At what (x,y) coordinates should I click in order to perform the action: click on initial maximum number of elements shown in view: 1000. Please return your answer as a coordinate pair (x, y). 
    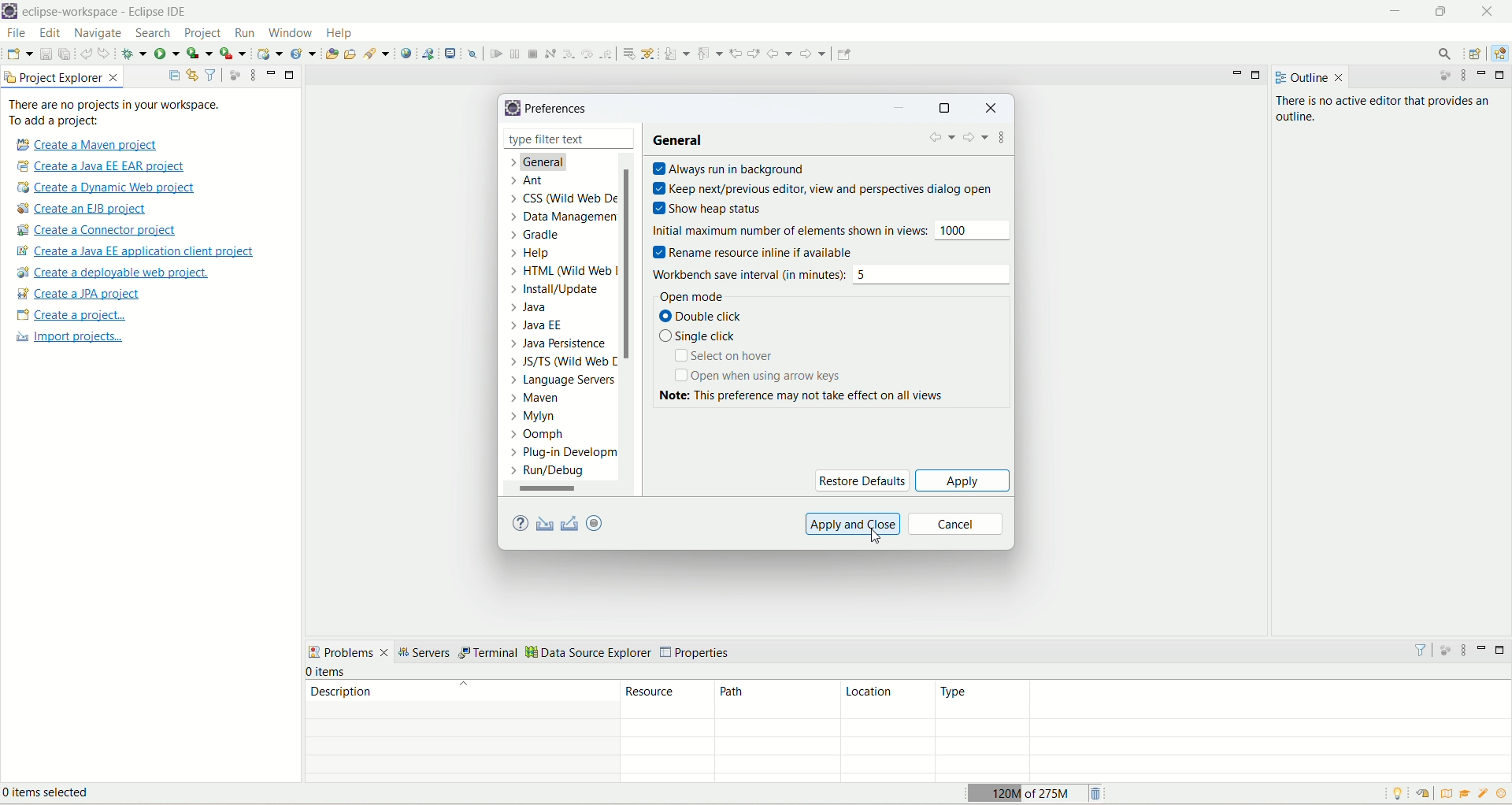
    Looking at the image, I should click on (833, 229).